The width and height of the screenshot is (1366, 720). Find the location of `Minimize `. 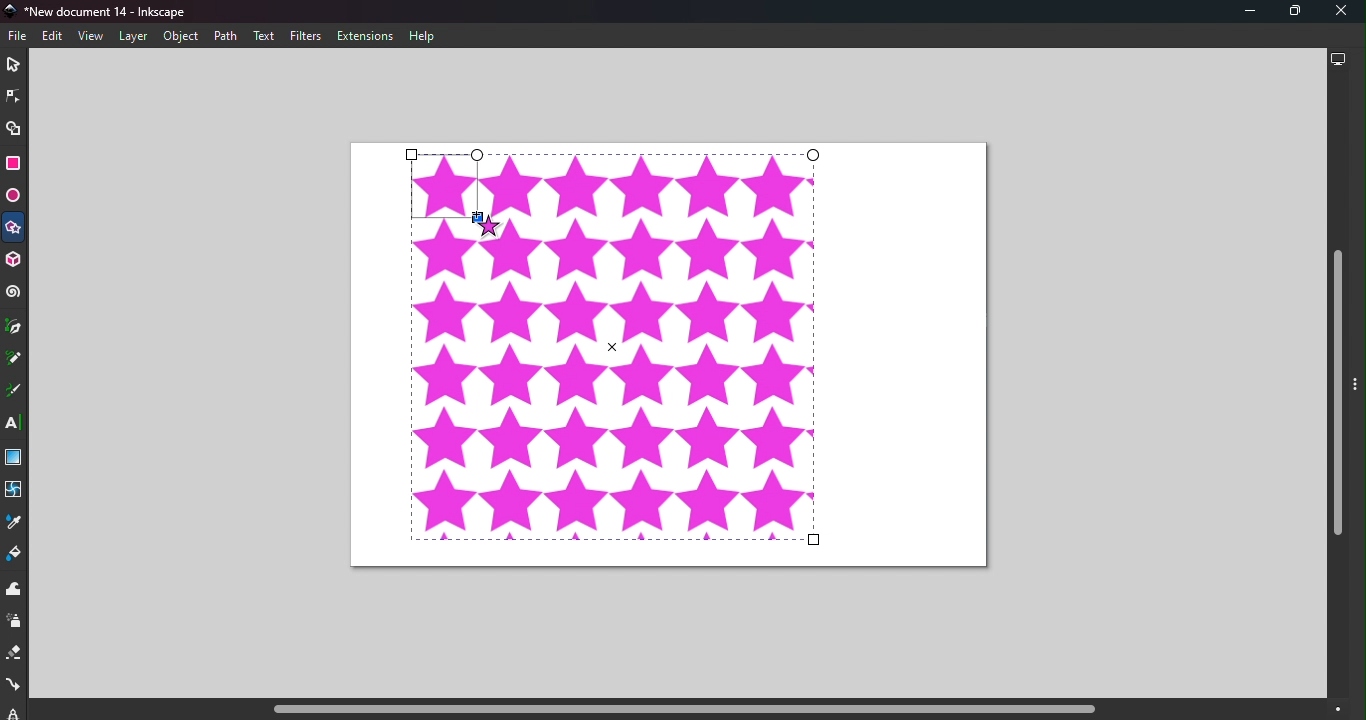

Minimize  is located at coordinates (1241, 12).